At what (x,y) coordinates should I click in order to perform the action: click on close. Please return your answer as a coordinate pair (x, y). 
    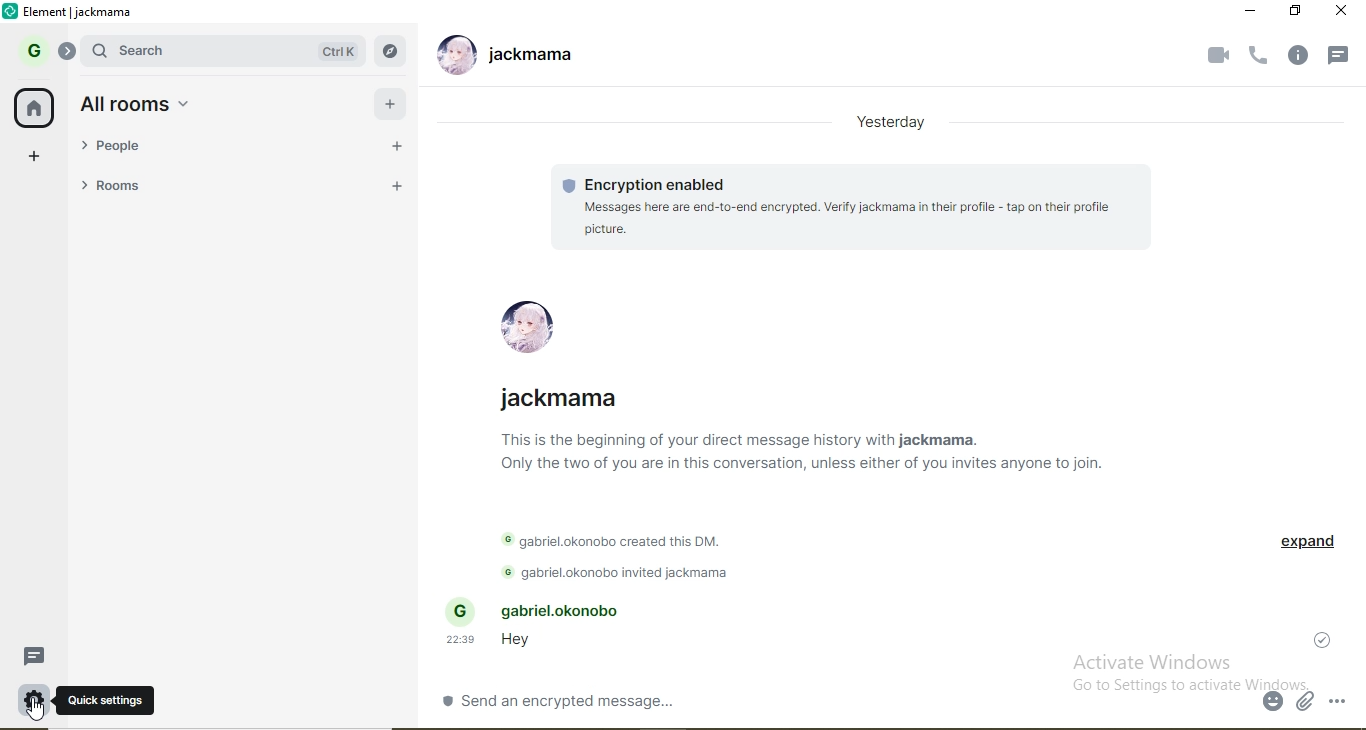
    Looking at the image, I should click on (1343, 14).